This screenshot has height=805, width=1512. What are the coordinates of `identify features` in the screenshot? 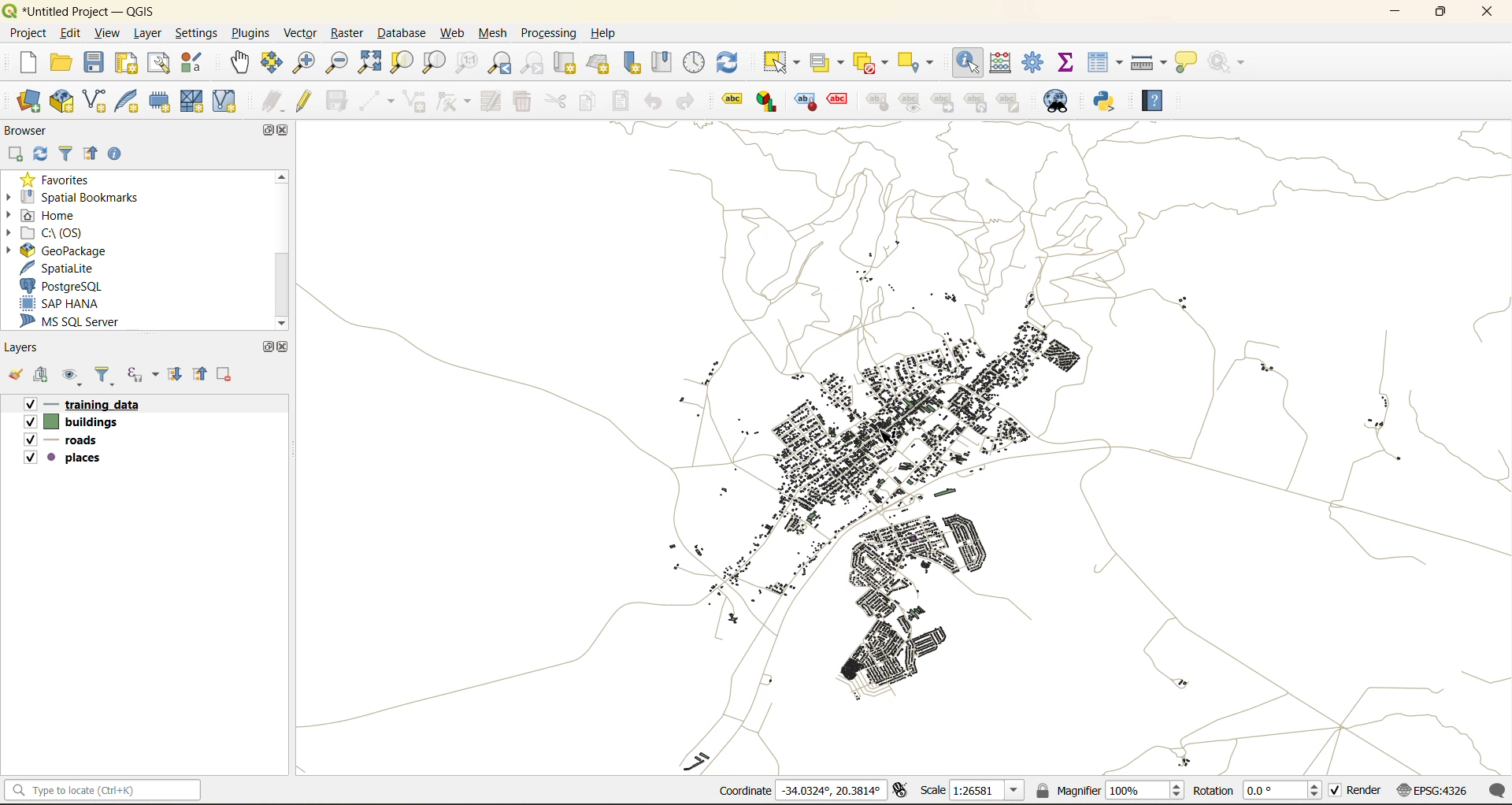 It's located at (968, 59).